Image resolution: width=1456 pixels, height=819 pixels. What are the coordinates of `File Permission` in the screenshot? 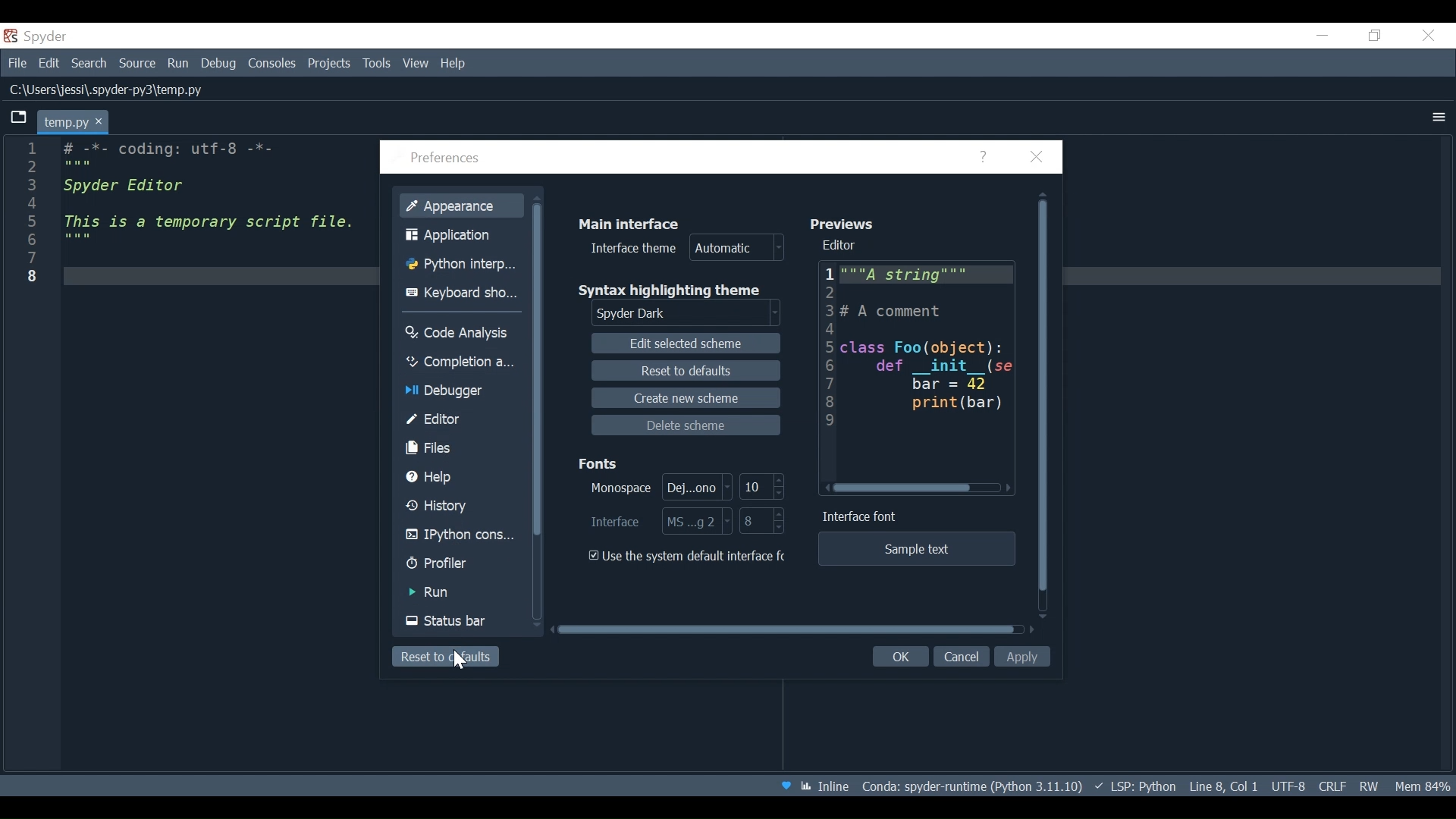 It's located at (1369, 784).